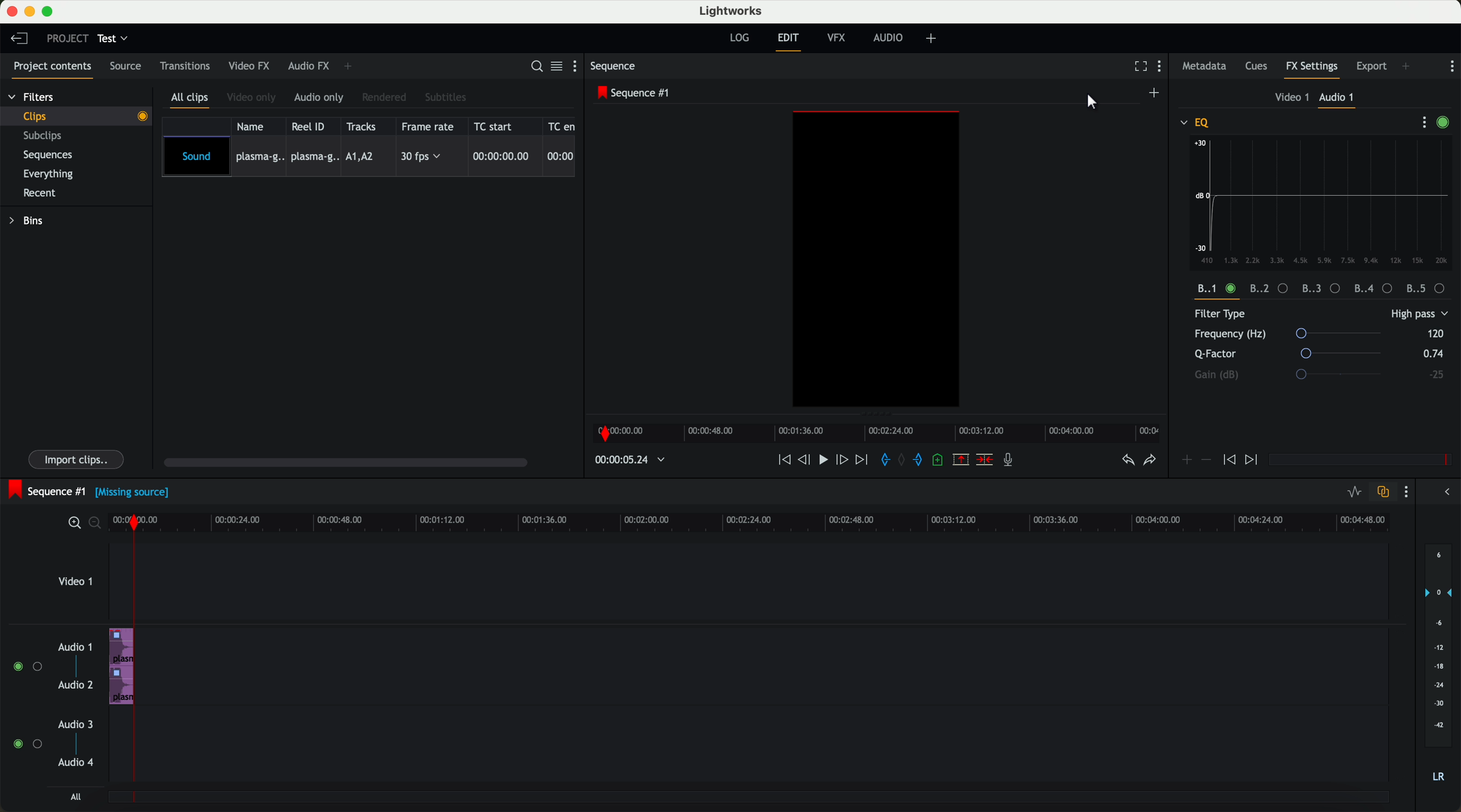 This screenshot has height=812, width=1461. I want to click on imported sound, so click(369, 157).